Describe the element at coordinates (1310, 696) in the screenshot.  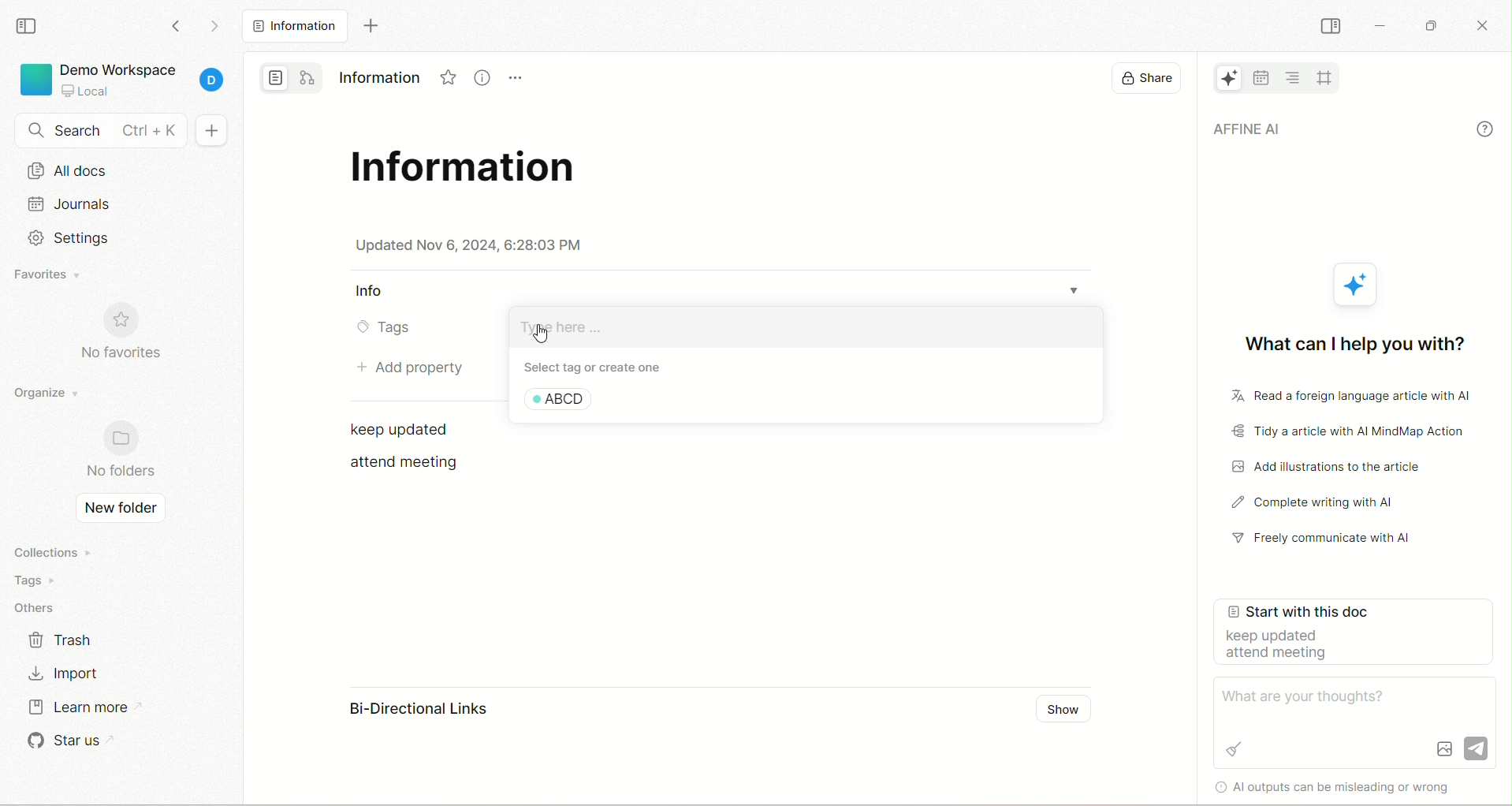
I see `What are your thoughts` at that location.